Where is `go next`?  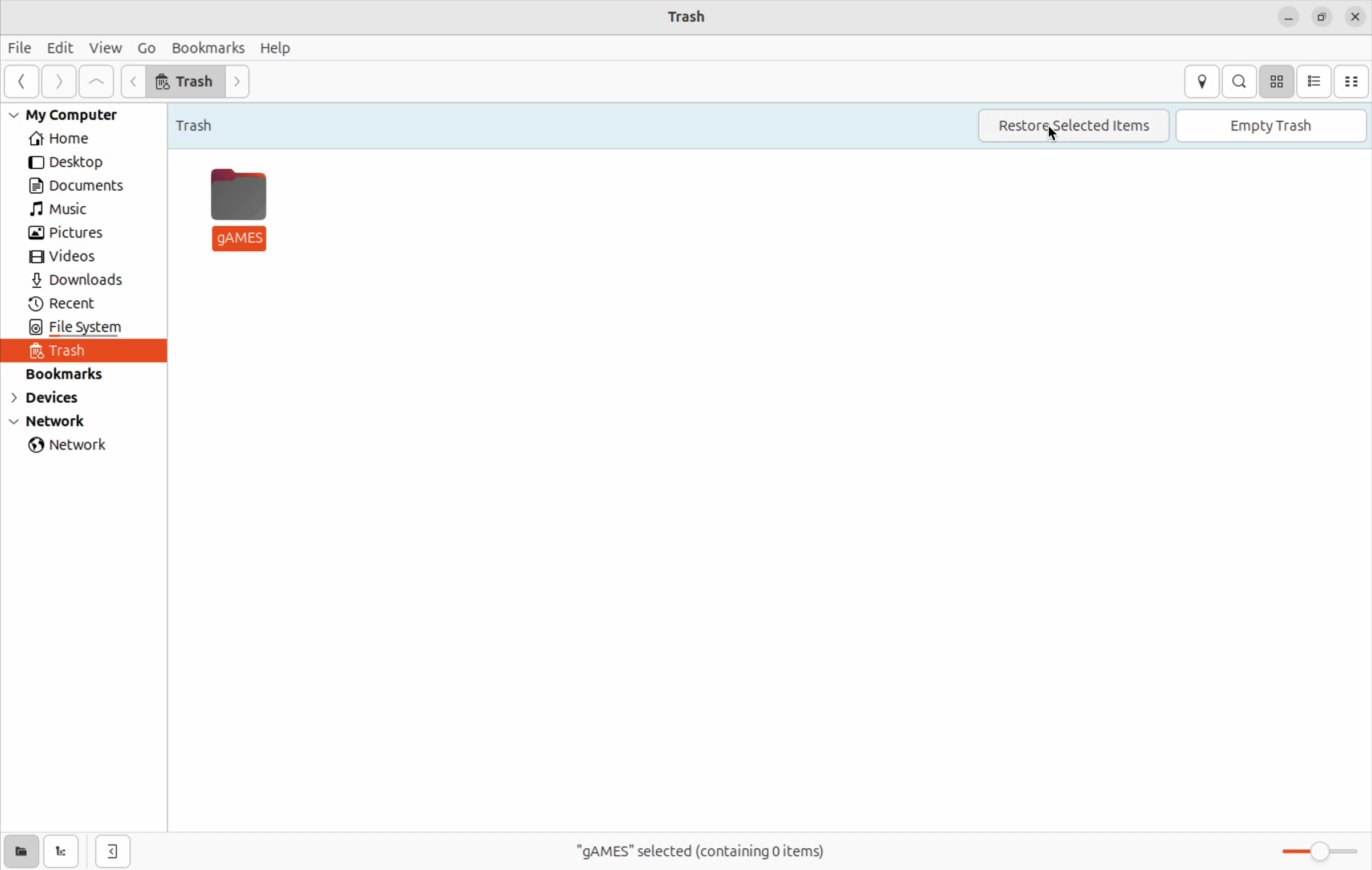 go next is located at coordinates (242, 83).